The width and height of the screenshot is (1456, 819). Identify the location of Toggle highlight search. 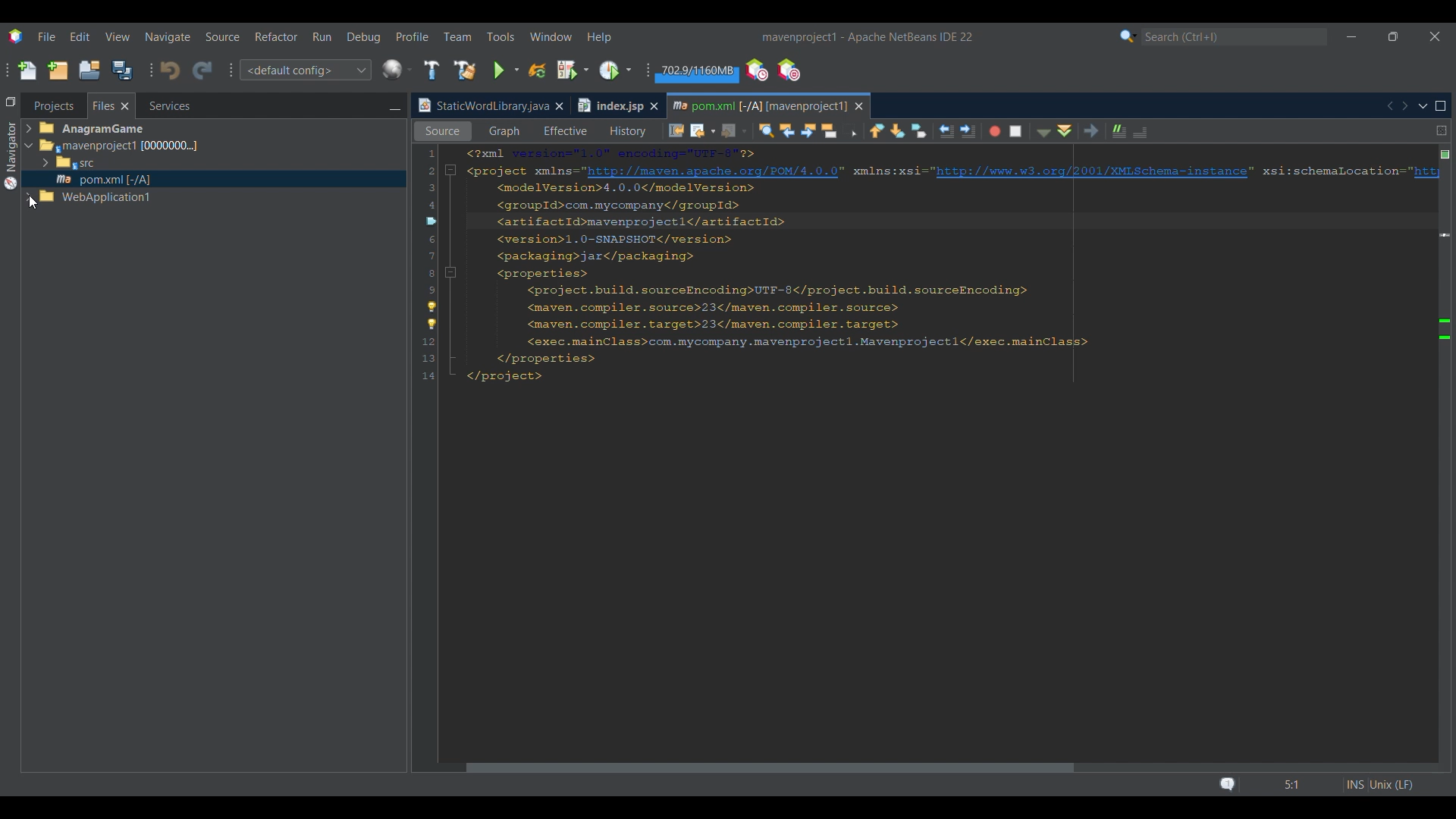
(831, 130).